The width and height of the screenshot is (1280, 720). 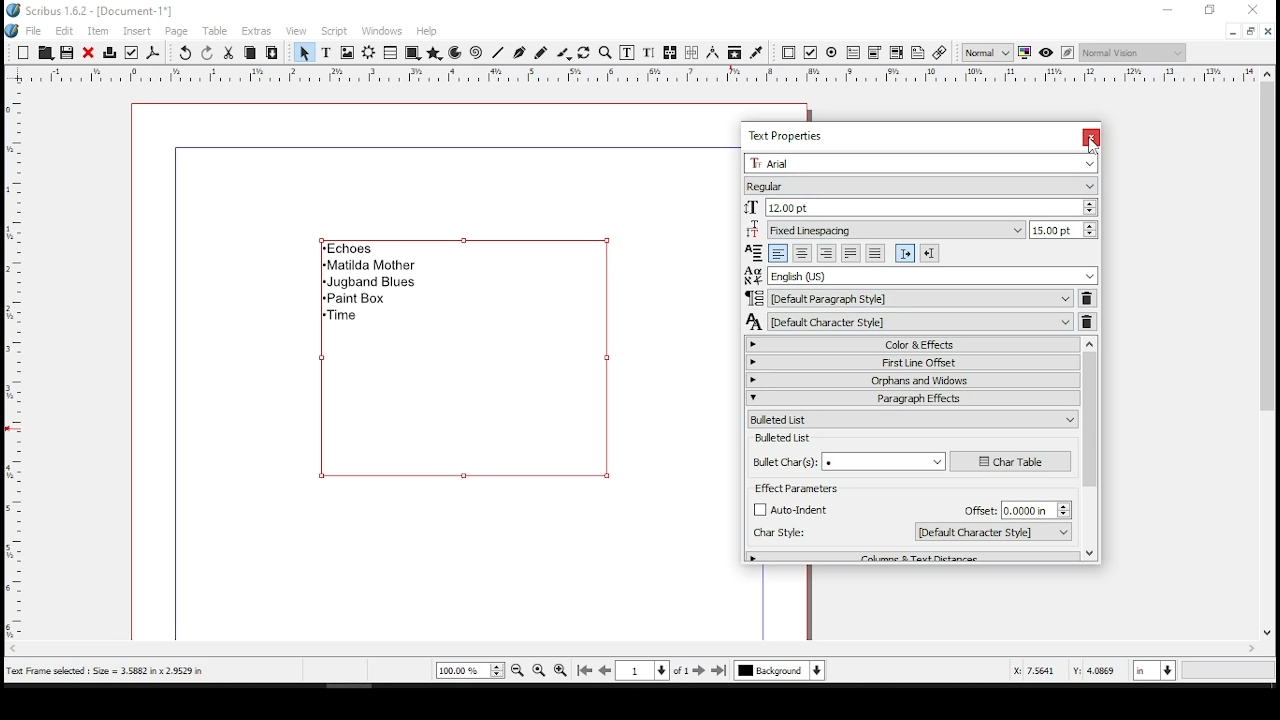 What do you see at coordinates (65, 30) in the screenshot?
I see `edit` at bounding box center [65, 30].